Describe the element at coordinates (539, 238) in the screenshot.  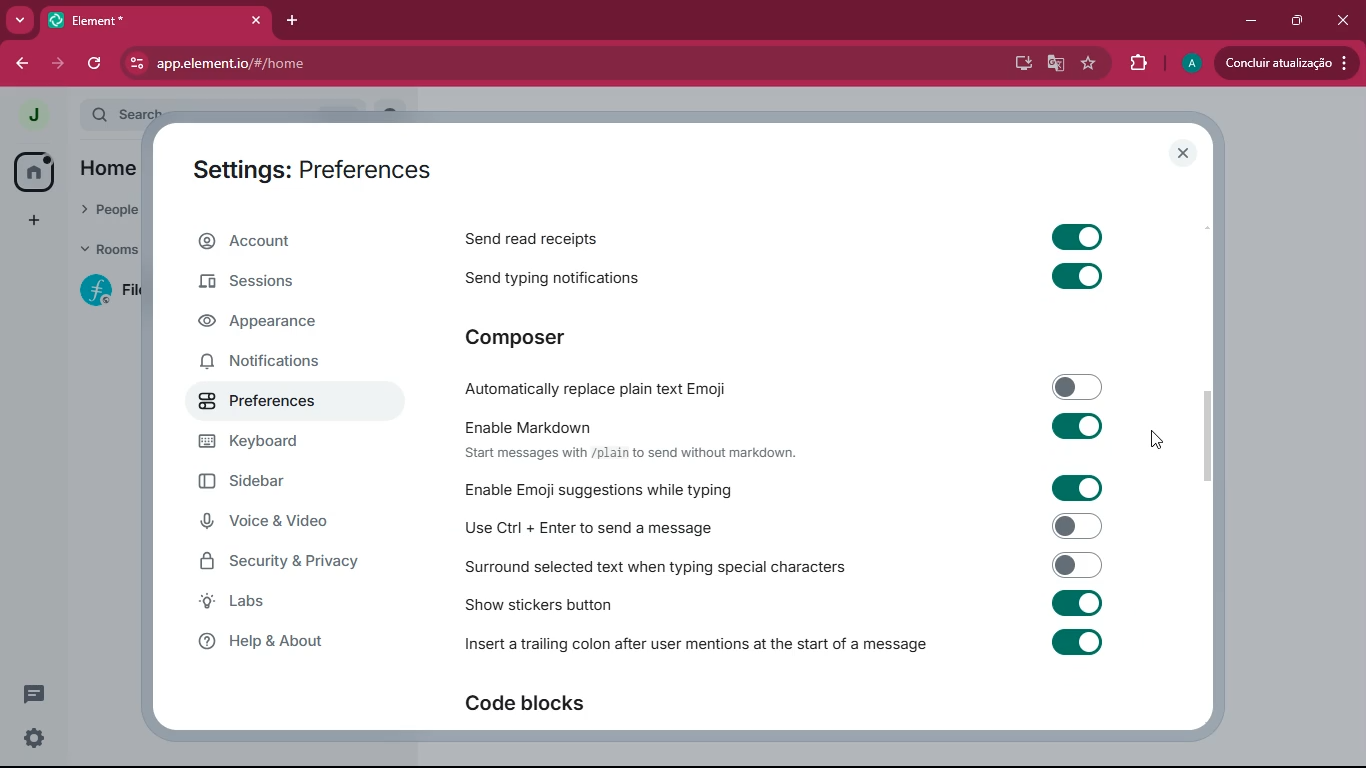
I see `send read receipts` at that location.